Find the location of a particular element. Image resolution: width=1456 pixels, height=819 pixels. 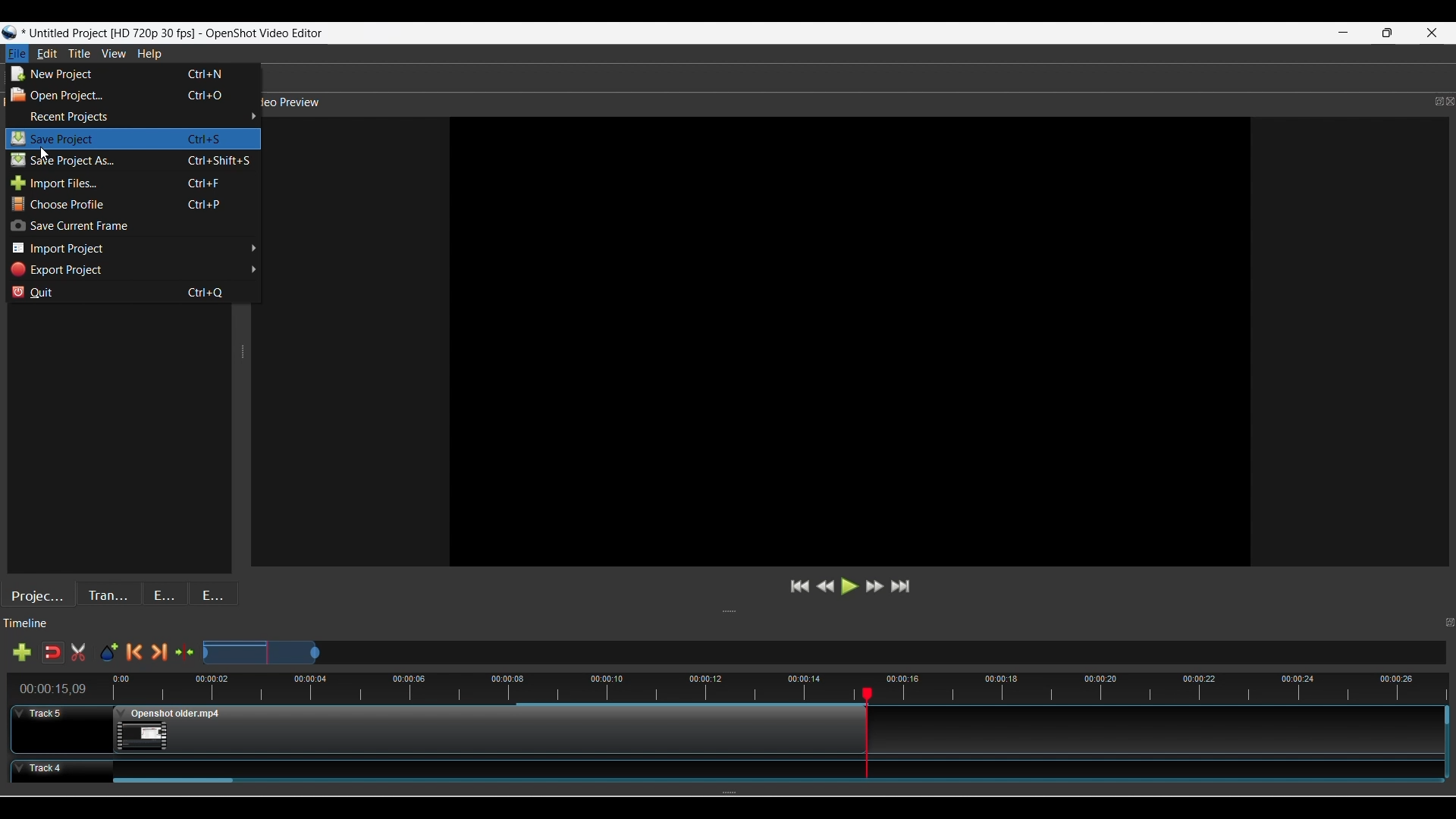

Open project is located at coordinates (130, 96).